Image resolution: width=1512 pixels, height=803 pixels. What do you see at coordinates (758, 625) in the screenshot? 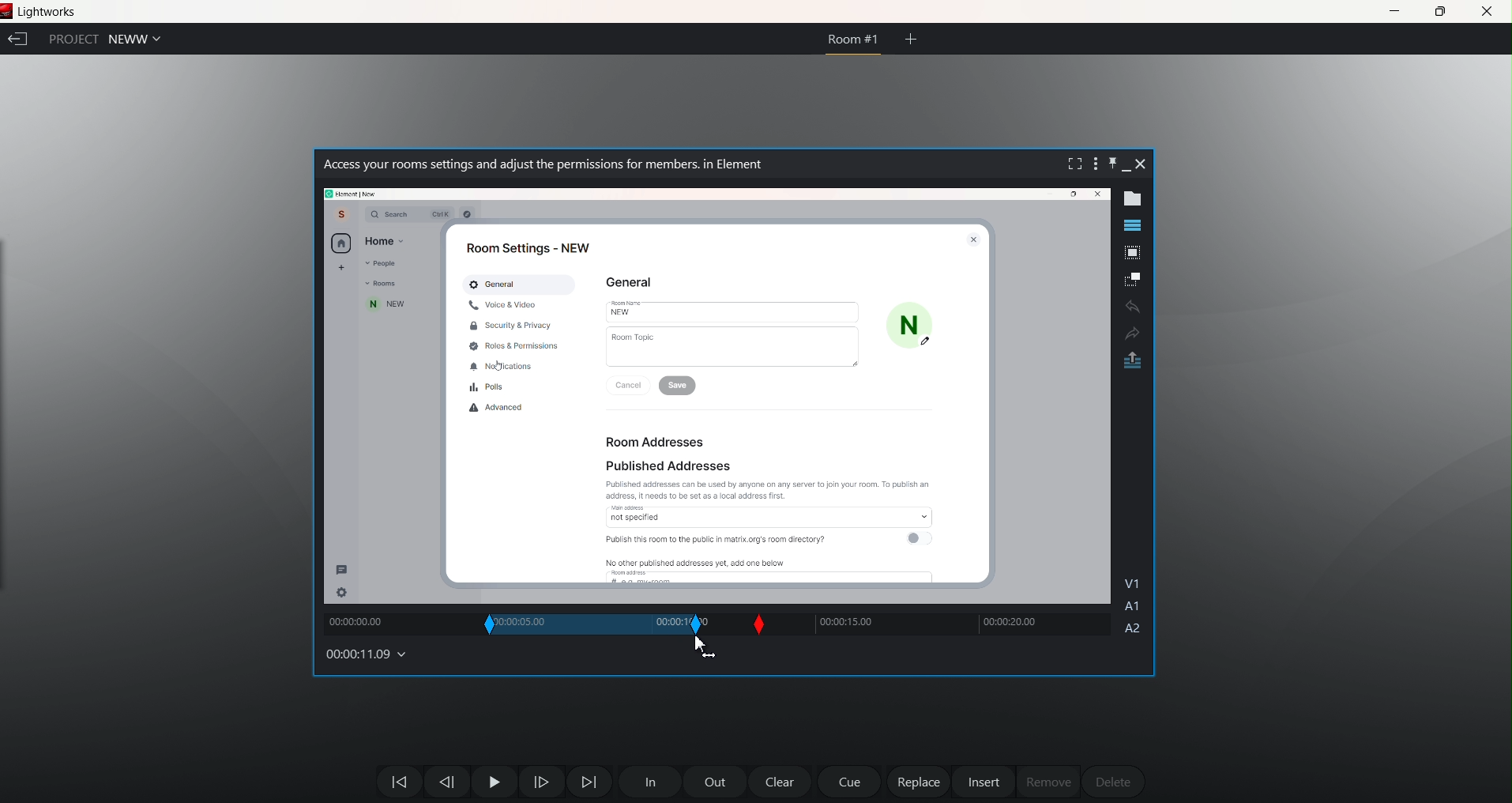
I see `Slip` at bounding box center [758, 625].